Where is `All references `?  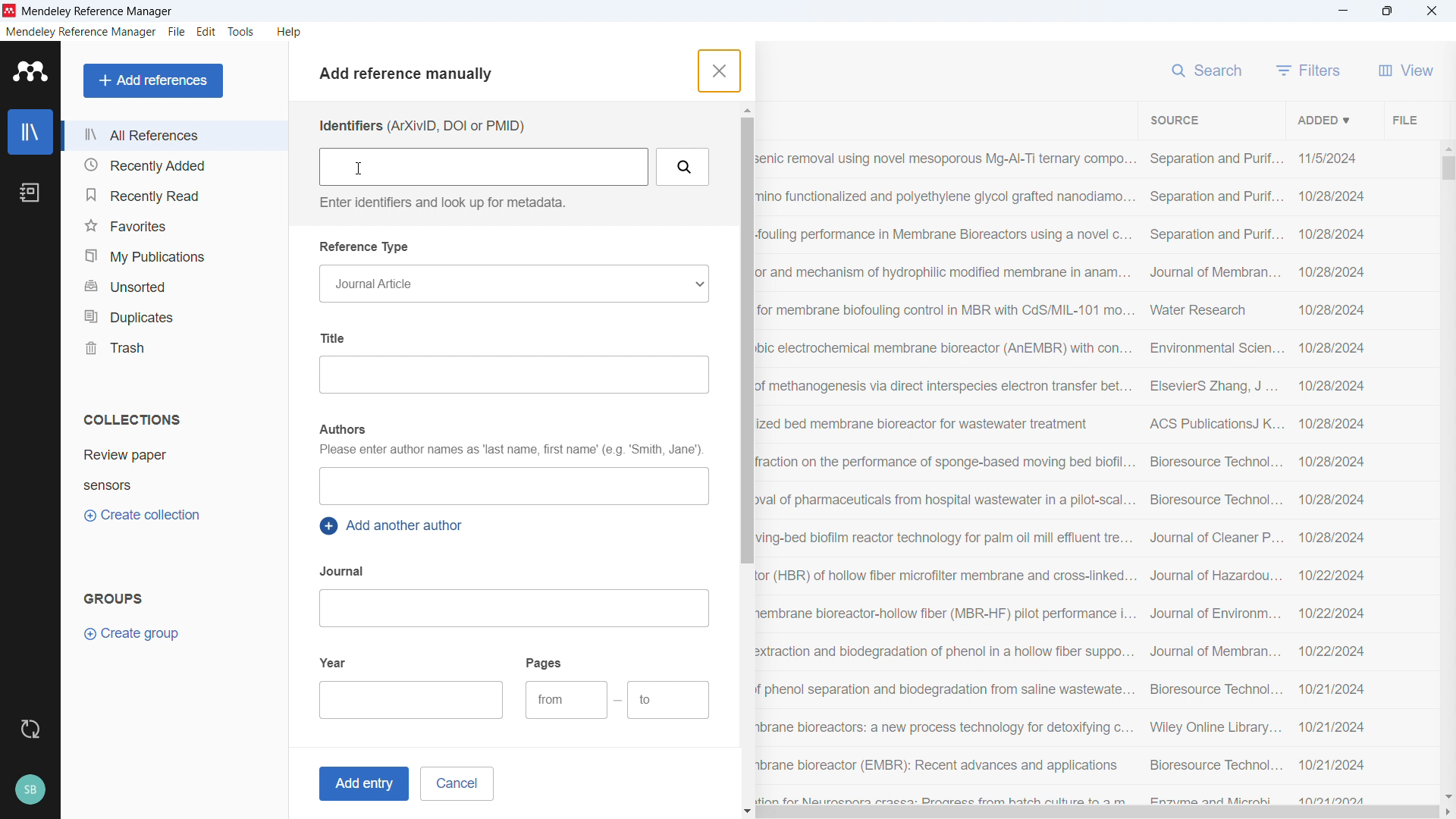
All references  is located at coordinates (174, 135).